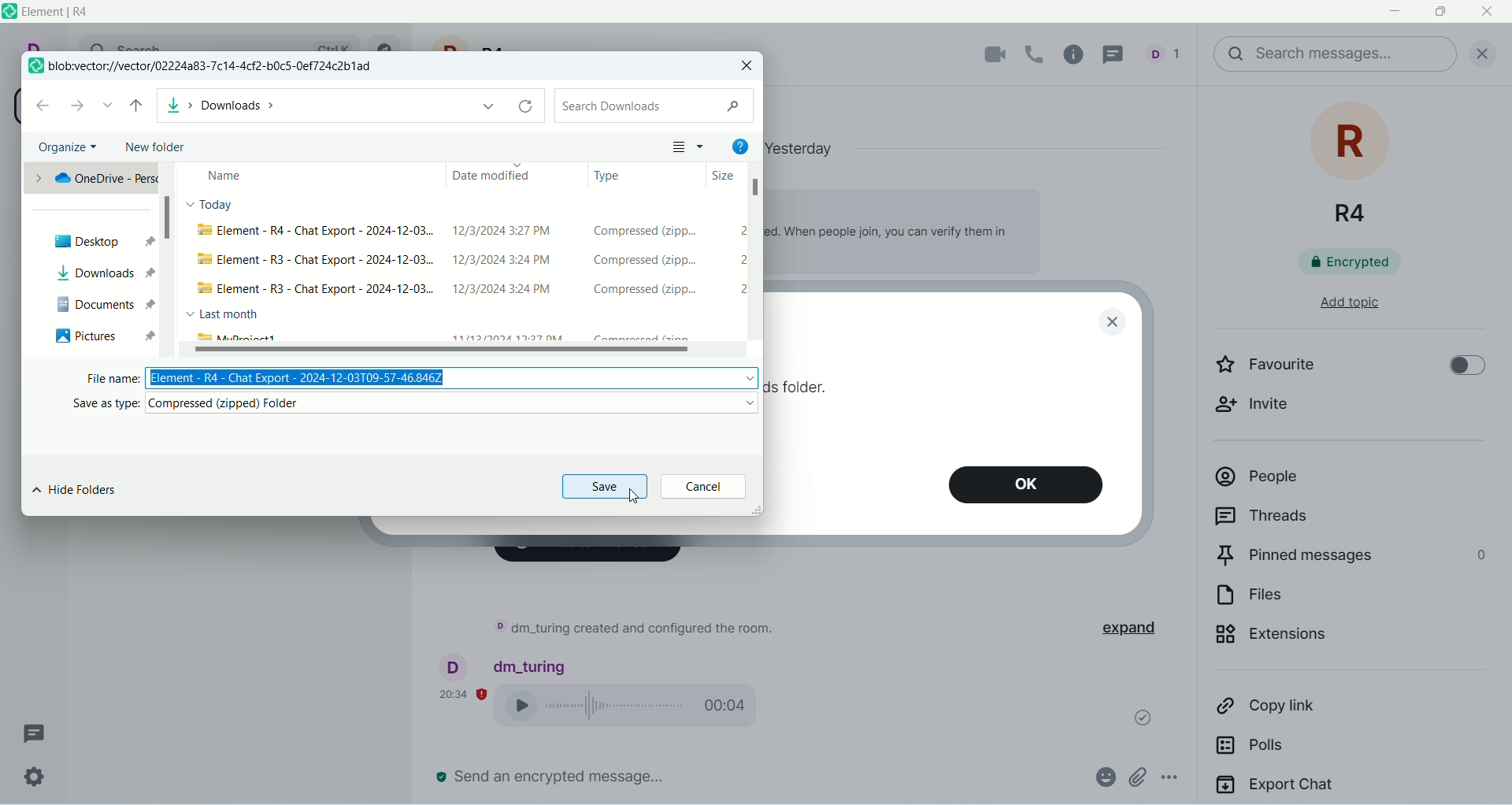 The image size is (1512, 805). Describe the element at coordinates (408, 405) in the screenshot. I see `save as type` at that location.